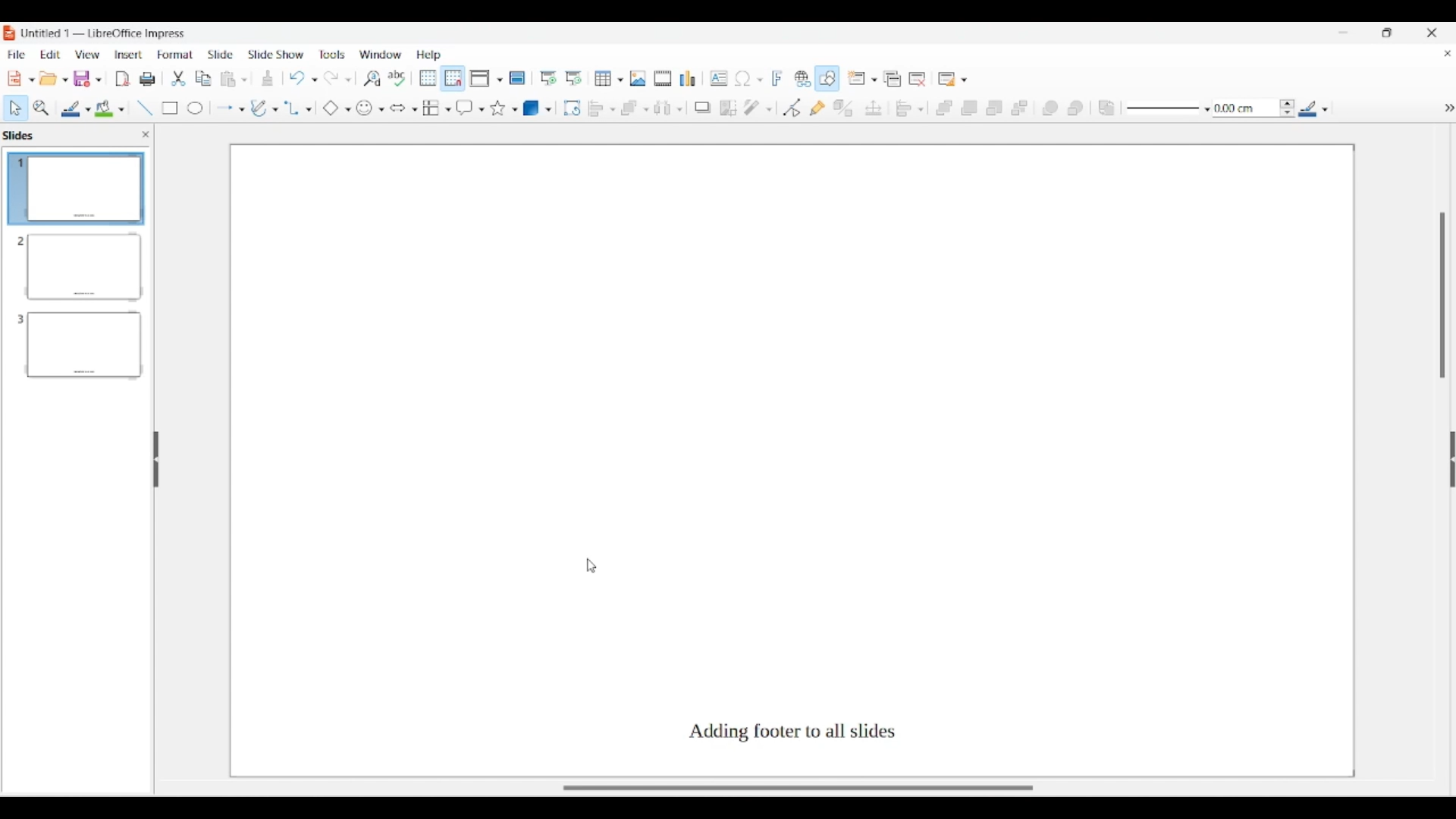 This screenshot has width=1456, height=819. What do you see at coordinates (1288, 108) in the screenshot?
I see `Increase/Decrease line thickness` at bounding box center [1288, 108].